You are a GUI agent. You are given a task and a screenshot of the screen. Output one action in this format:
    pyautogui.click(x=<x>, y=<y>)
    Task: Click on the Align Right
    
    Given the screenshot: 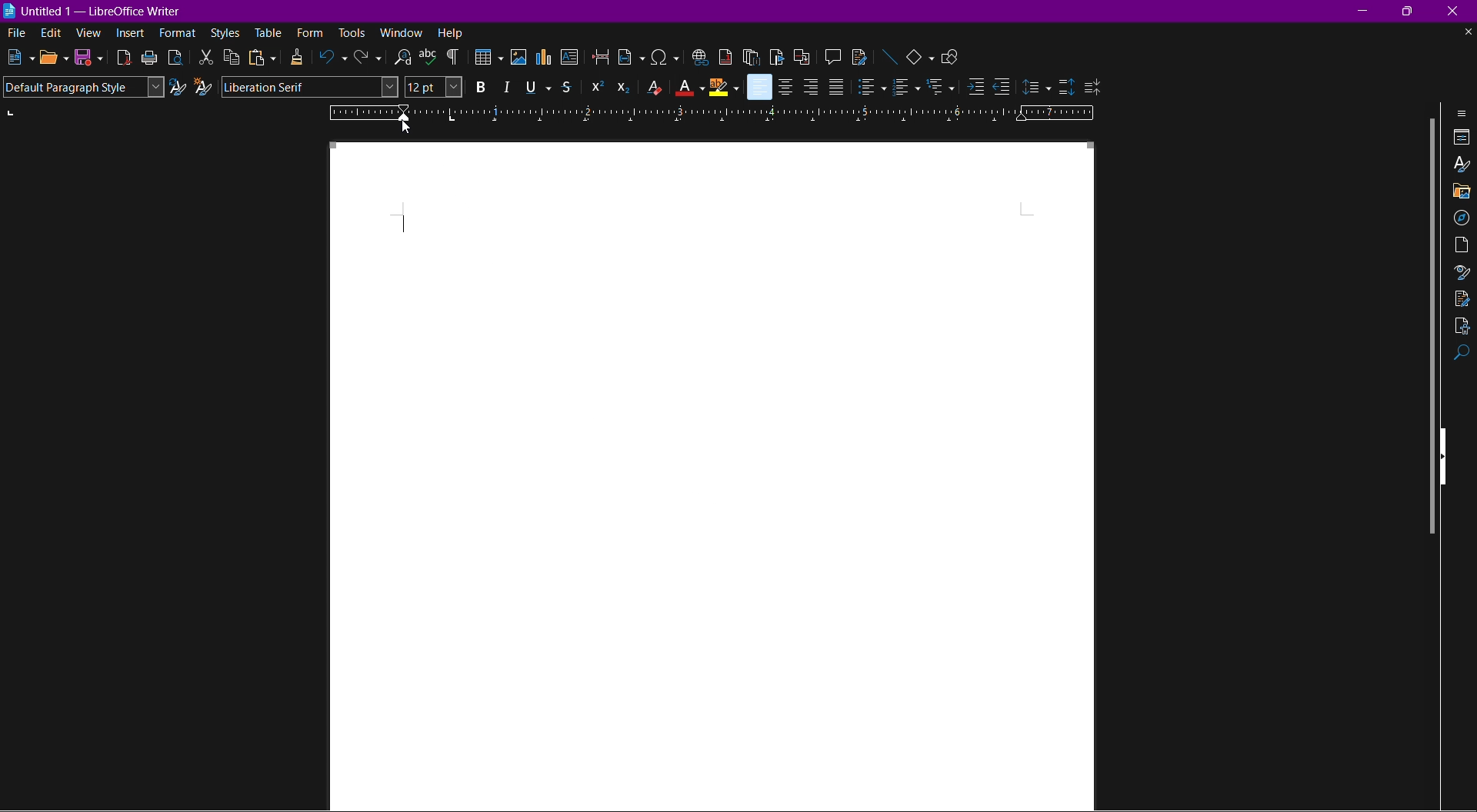 What is the action you would take?
    pyautogui.click(x=811, y=86)
    